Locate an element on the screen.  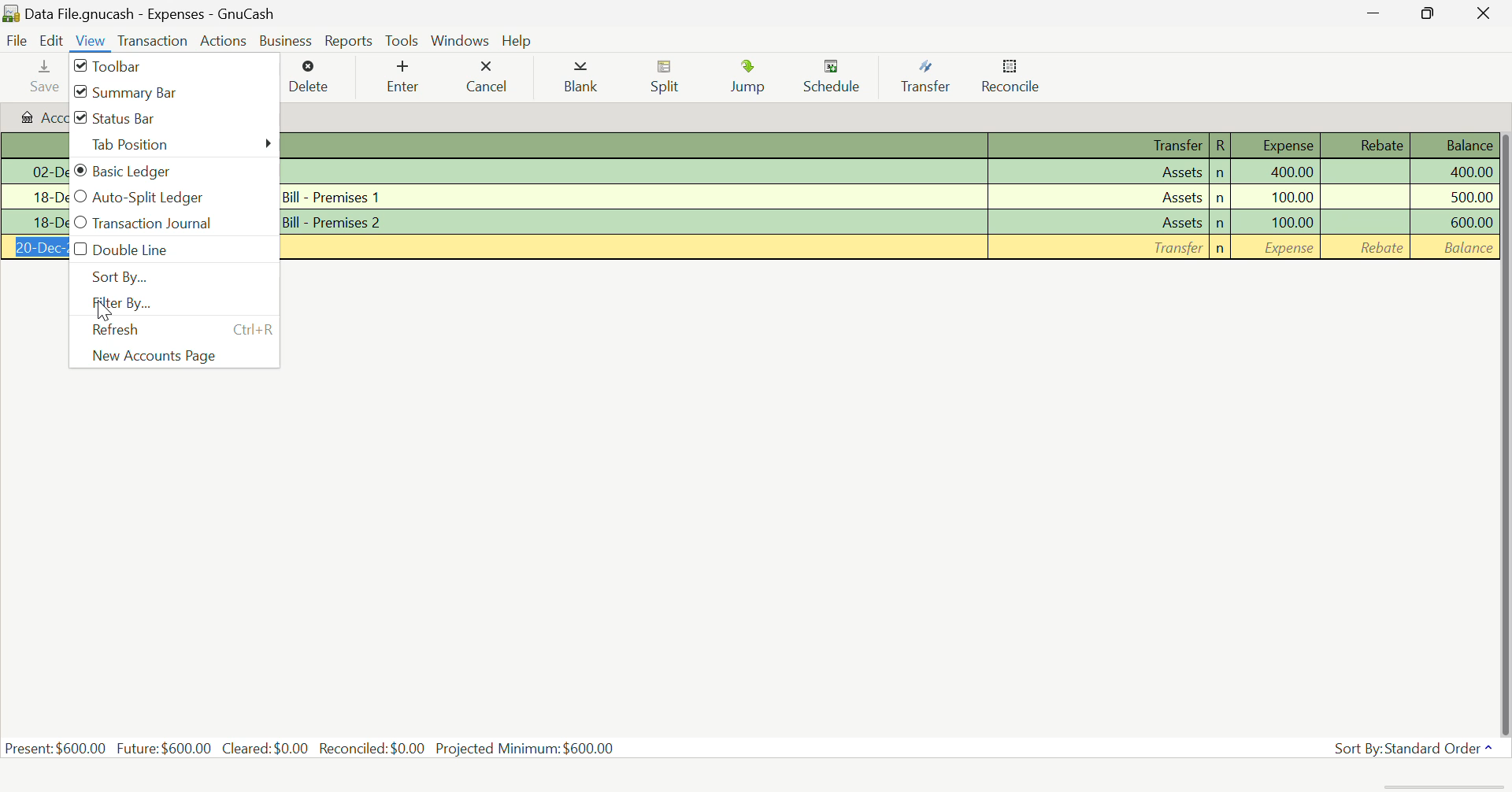
R is located at coordinates (1221, 146).